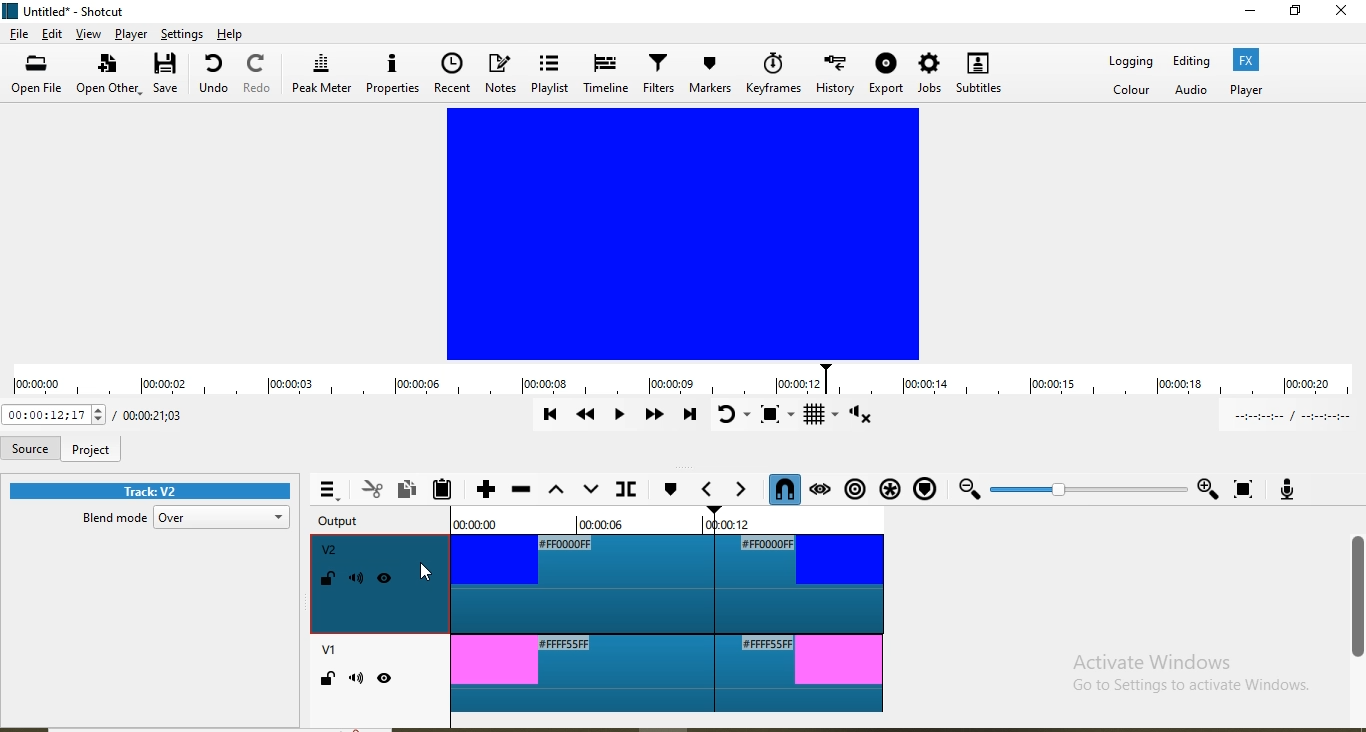  What do you see at coordinates (710, 492) in the screenshot?
I see `Previous marker` at bounding box center [710, 492].